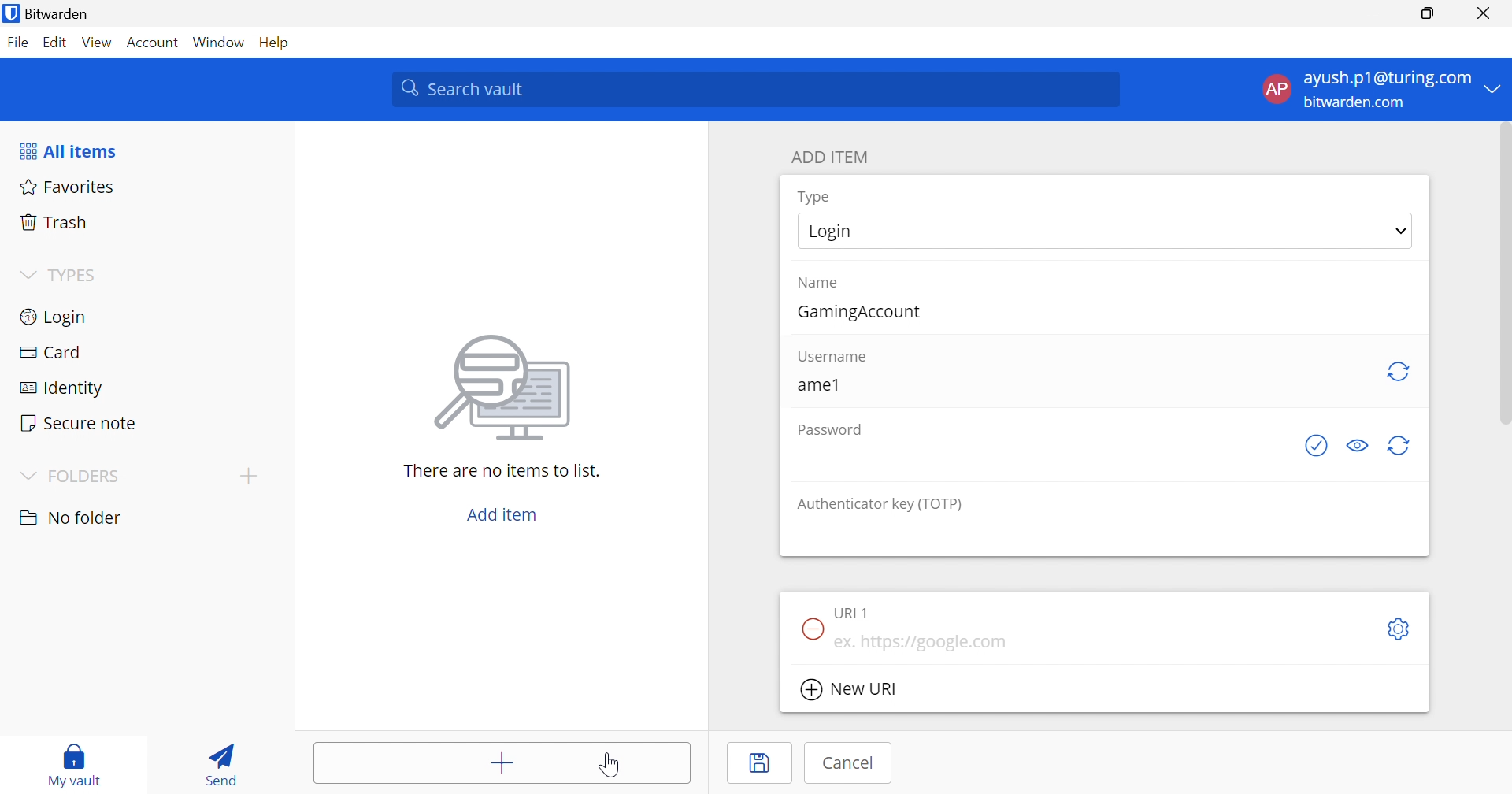  What do you see at coordinates (848, 689) in the screenshot?
I see `New URI` at bounding box center [848, 689].